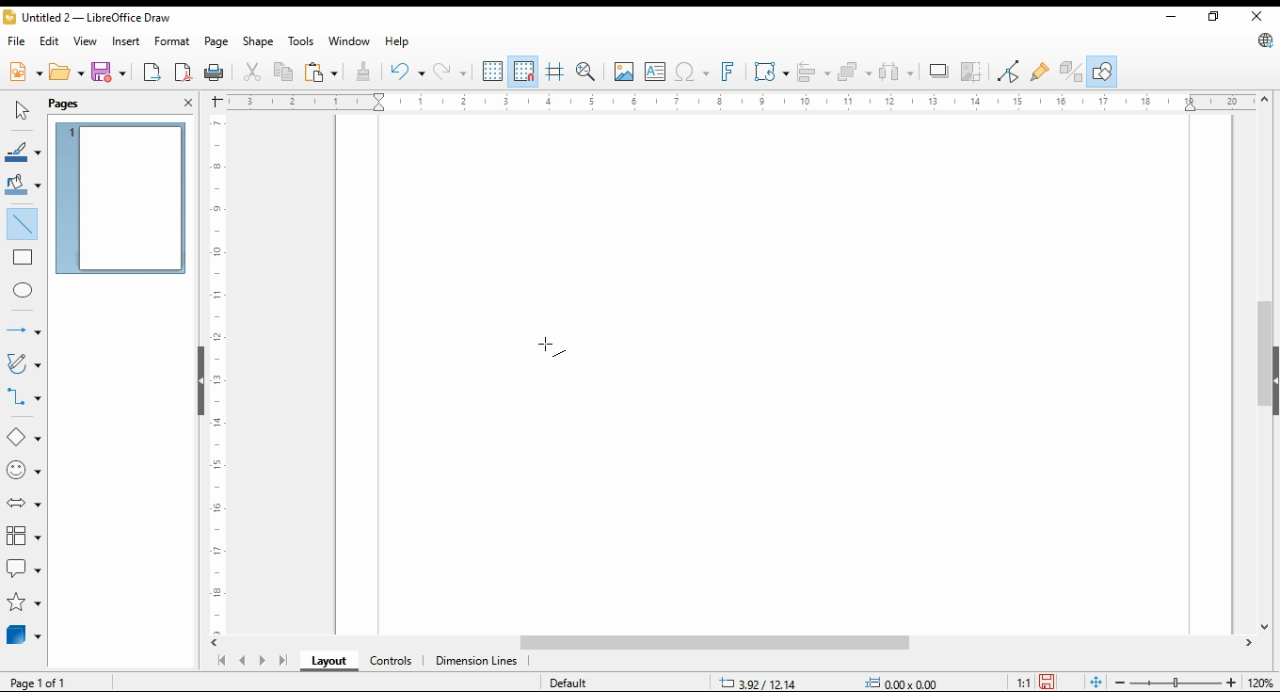 The height and width of the screenshot is (692, 1280). What do you see at coordinates (330, 661) in the screenshot?
I see `layout` at bounding box center [330, 661].